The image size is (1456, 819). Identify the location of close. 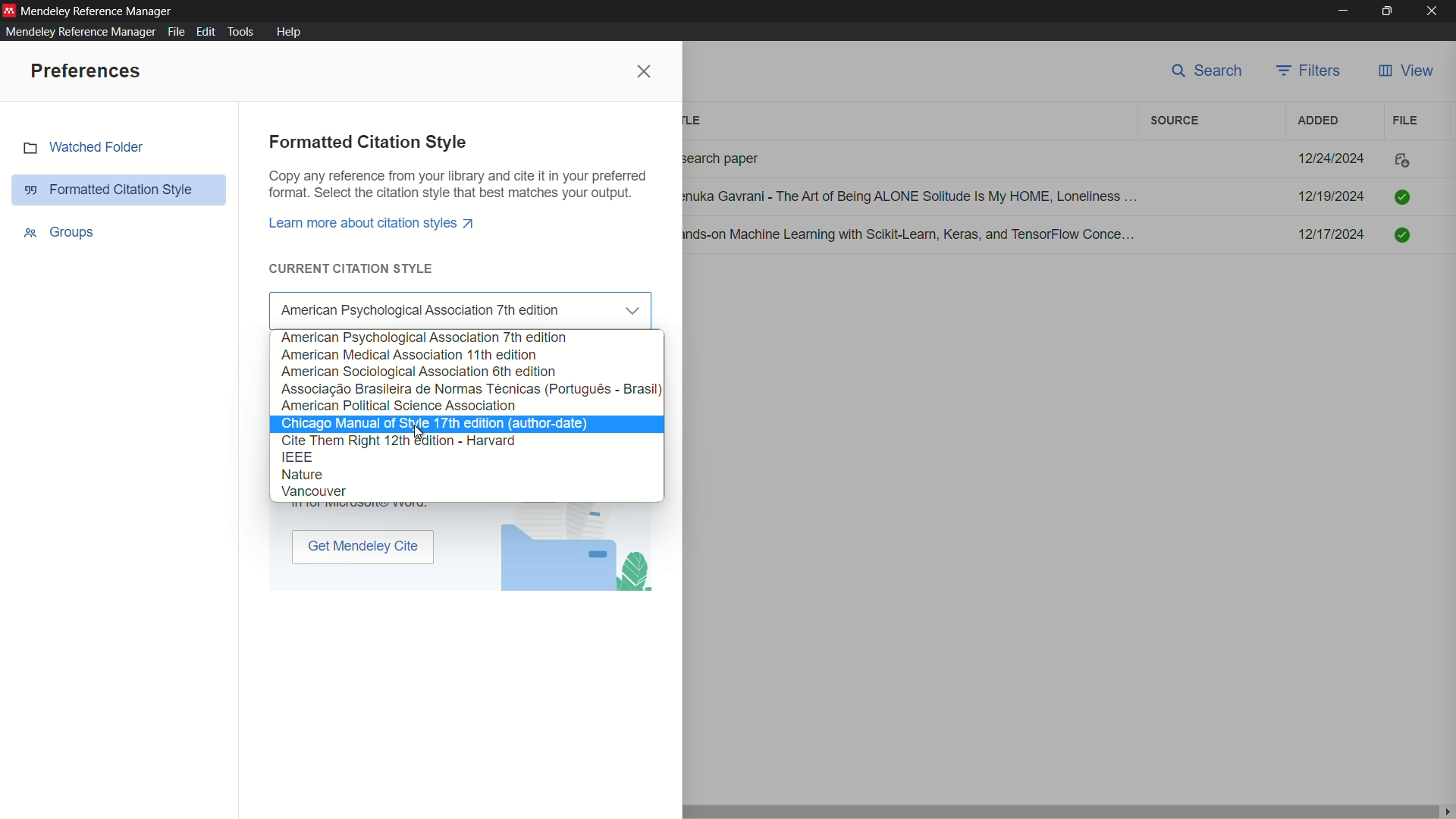
(645, 74).